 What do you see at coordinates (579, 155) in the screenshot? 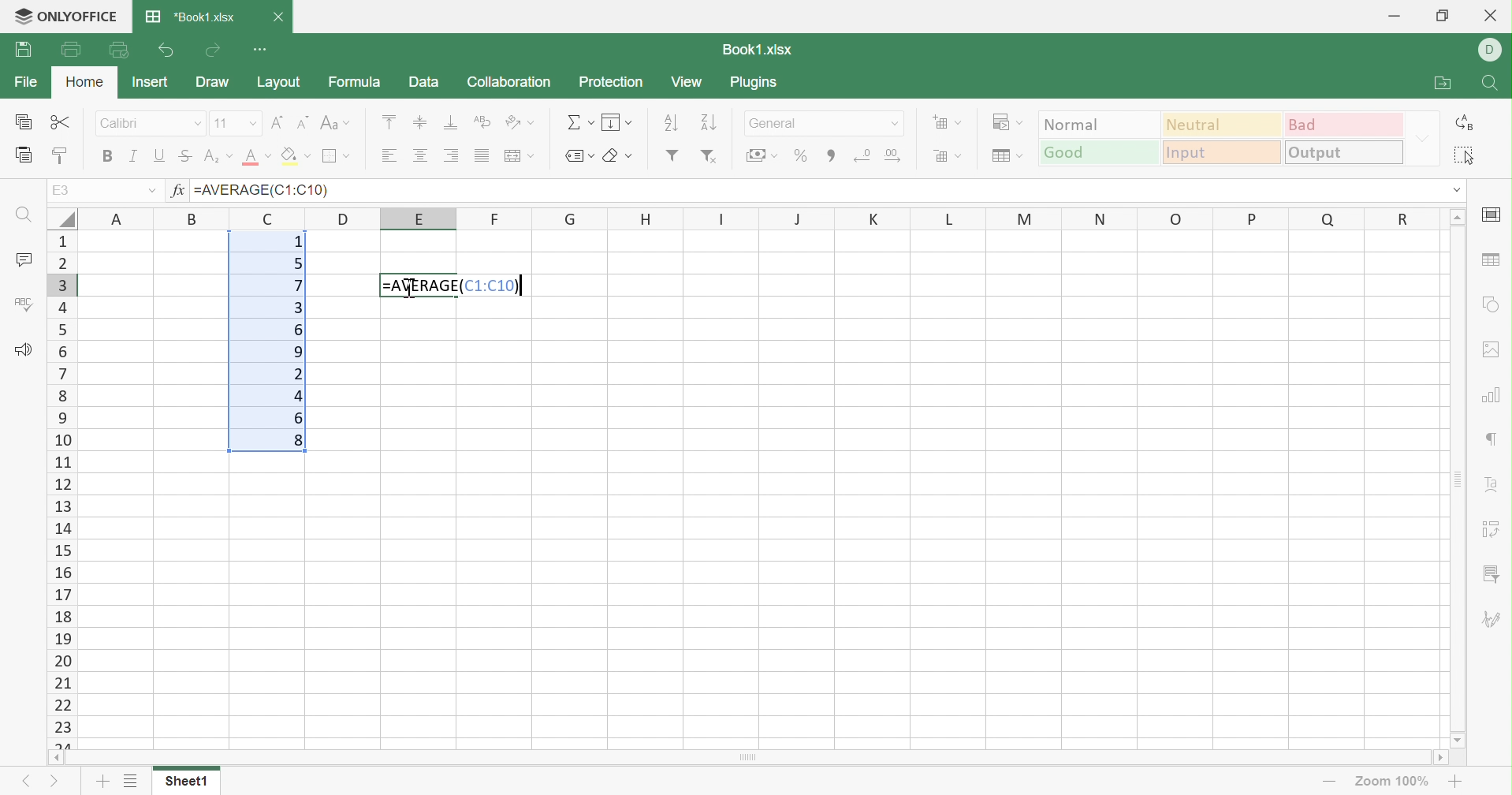
I see `Named ranges` at bounding box center [579, 155].